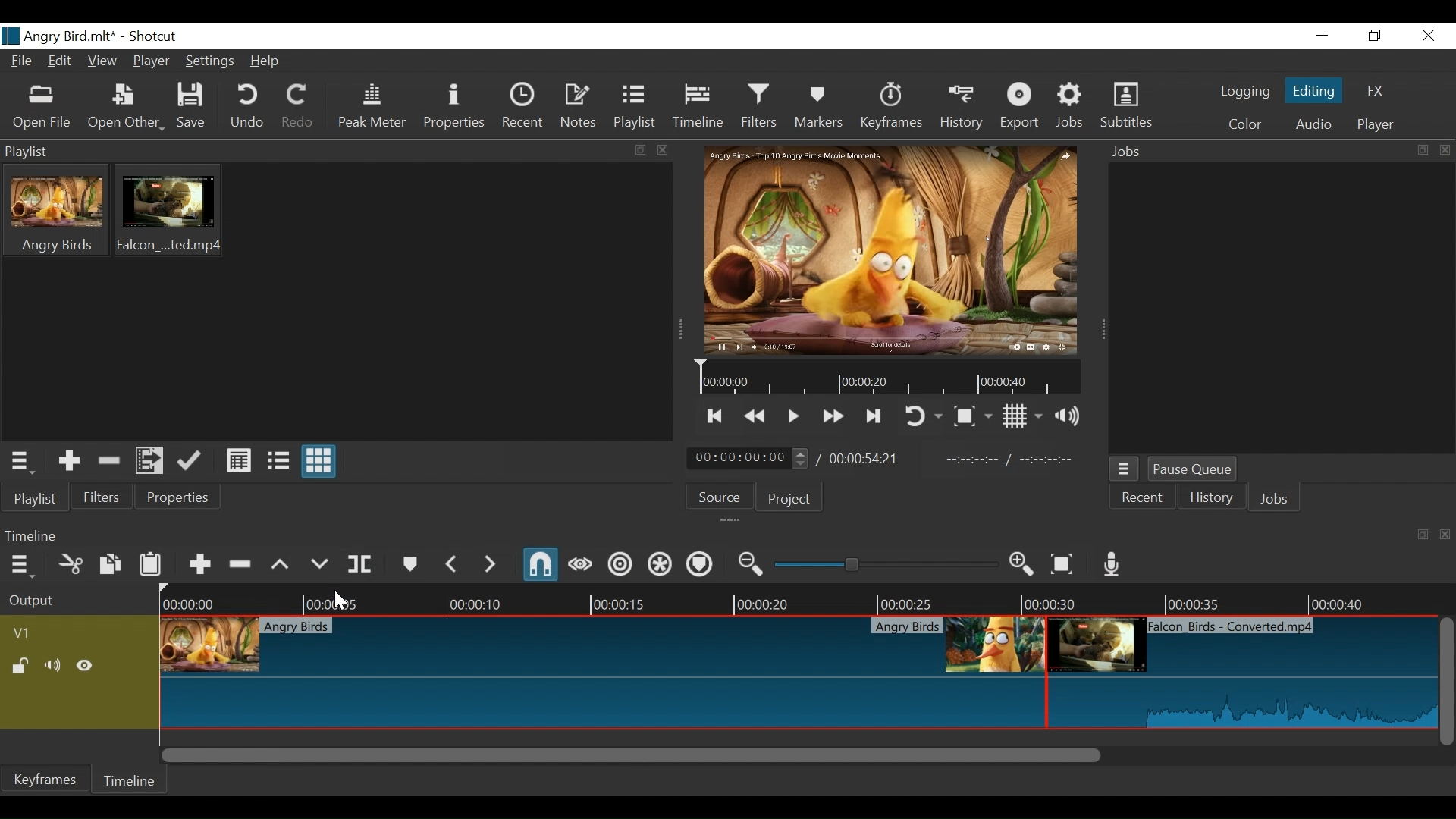 This screenshot has width=1456, height=819. What do you see at coordinates (635, 107) in the screenshot?
I see `Playlist` at bounding box center [635, 107].